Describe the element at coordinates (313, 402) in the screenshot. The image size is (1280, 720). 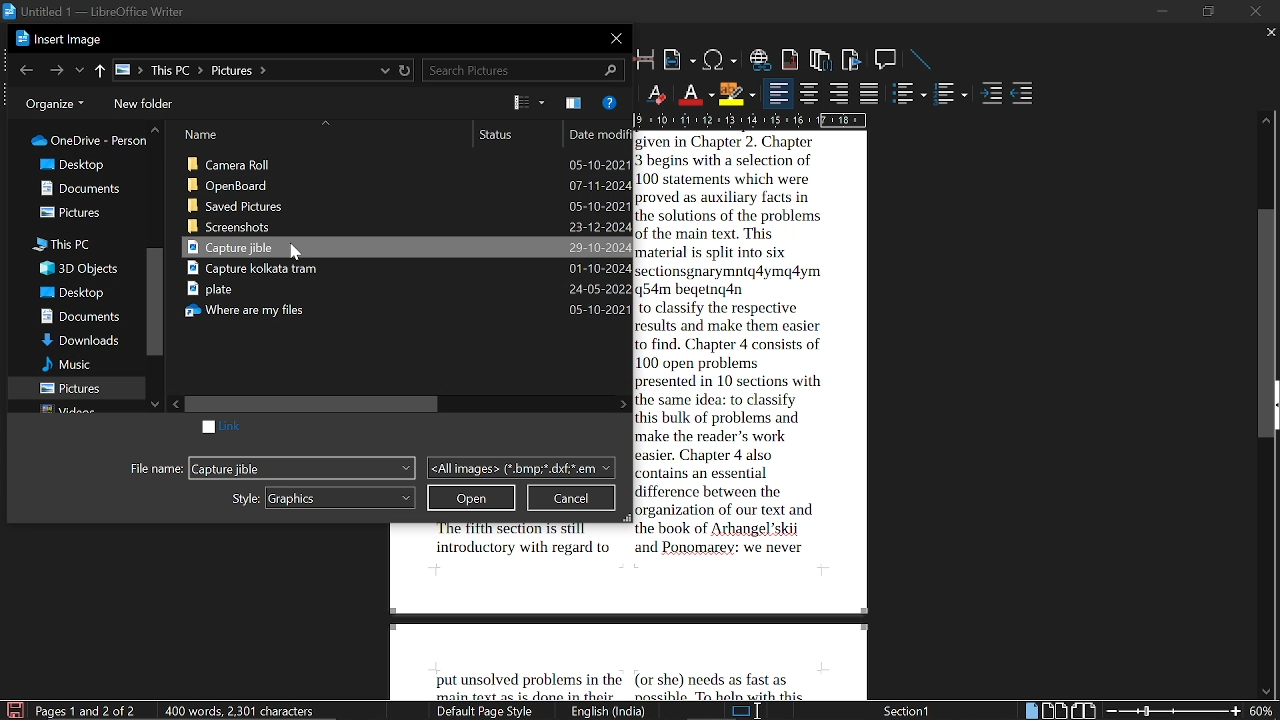
I see `horizontal scrollbar` at that location.